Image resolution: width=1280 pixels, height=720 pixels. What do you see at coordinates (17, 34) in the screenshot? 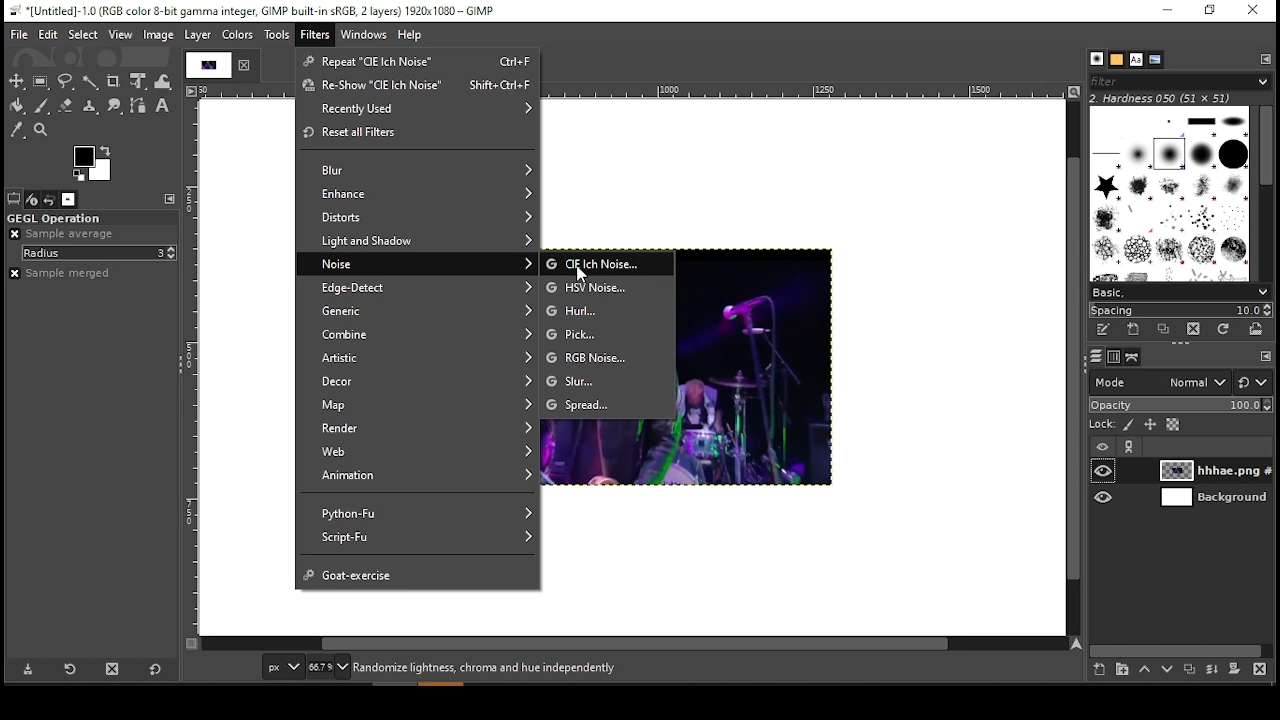
I see `file` at bounding box center [17, 34].